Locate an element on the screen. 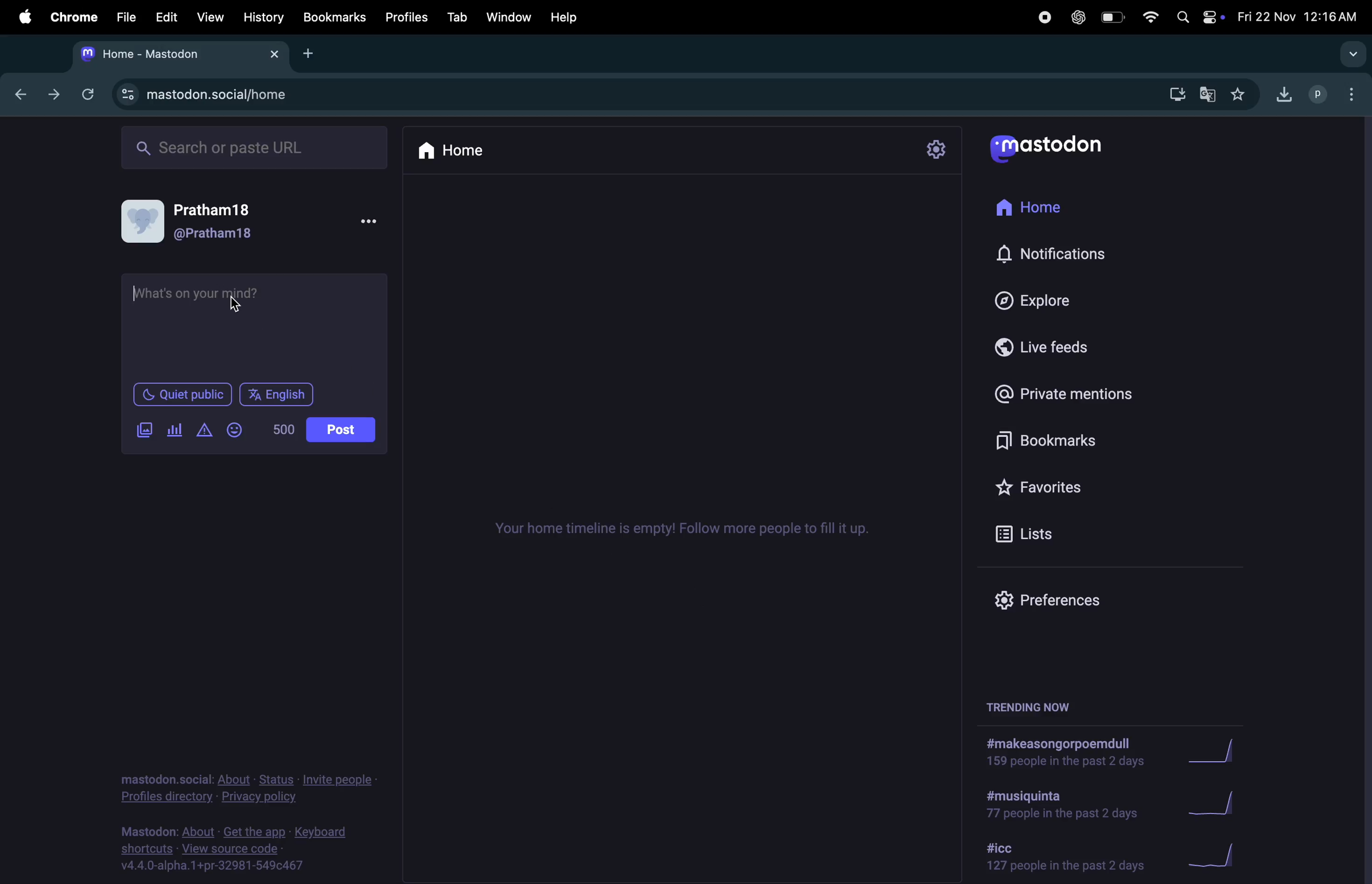  home is located at coordinates (1027, 207).